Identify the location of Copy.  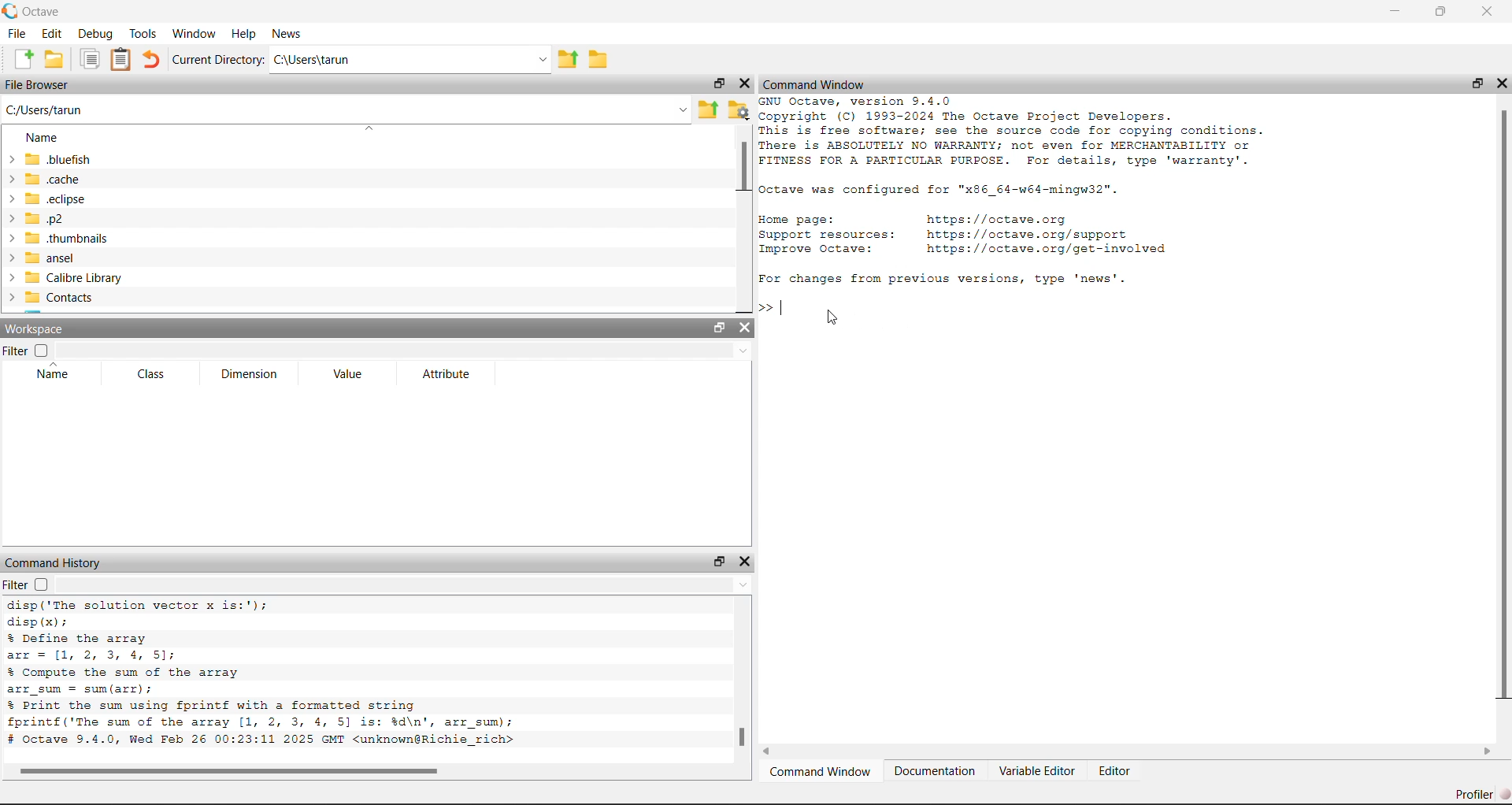
(91, 59).